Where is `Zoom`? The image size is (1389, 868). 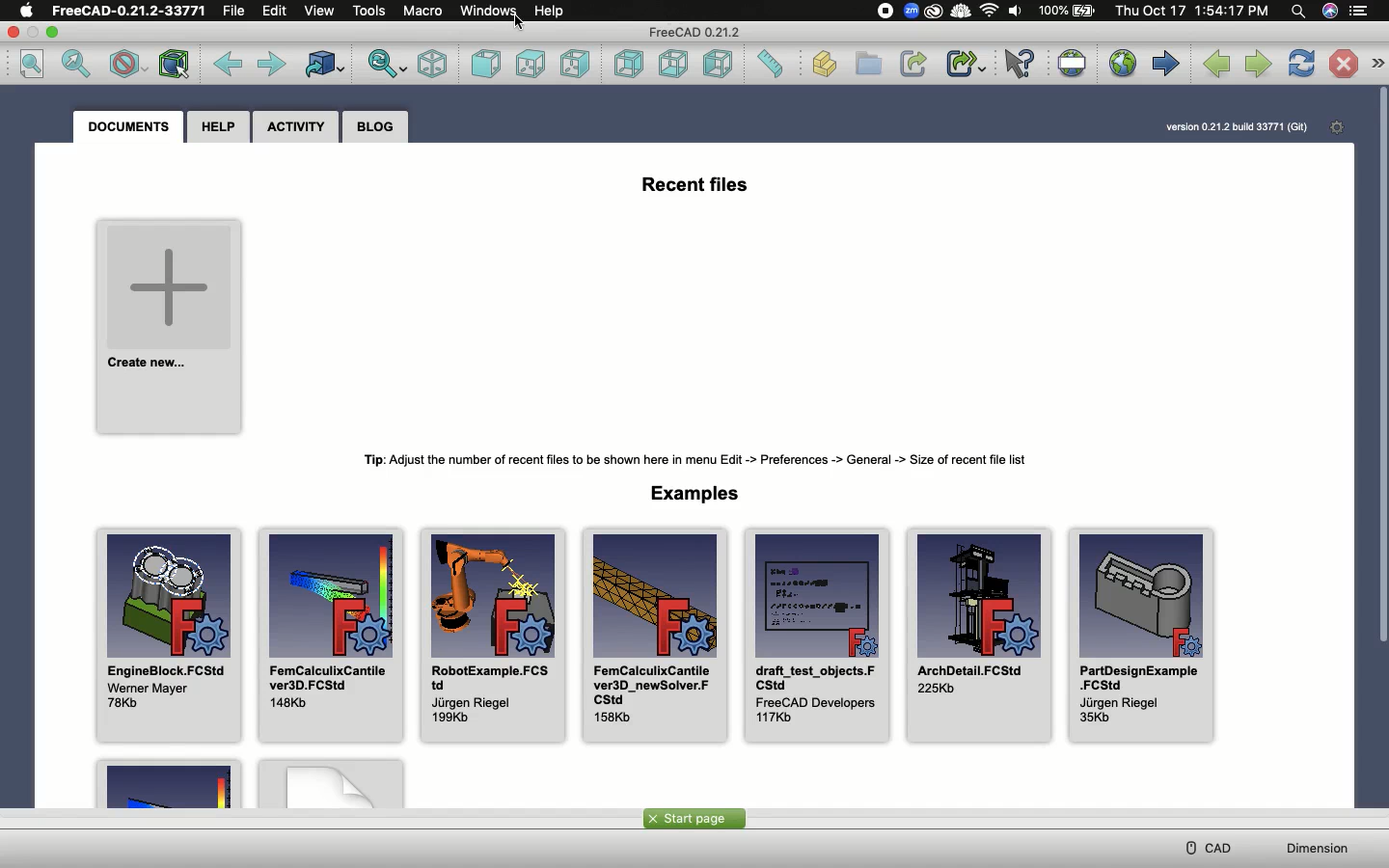 Zoom is located at coordinates (911, 11).